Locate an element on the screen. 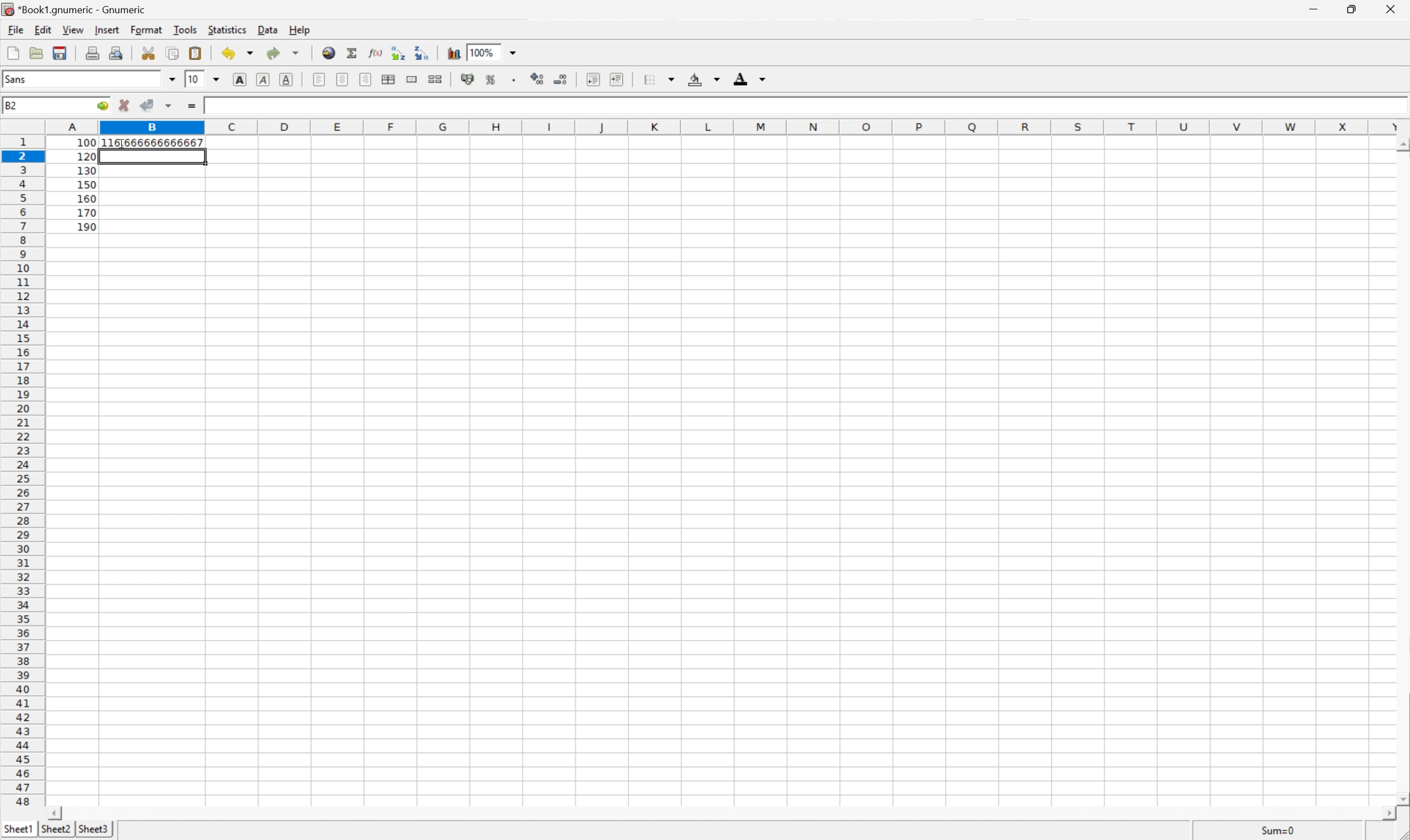 The image size is (1410, 840). Save current workbook is located at coordinates (63, 53).